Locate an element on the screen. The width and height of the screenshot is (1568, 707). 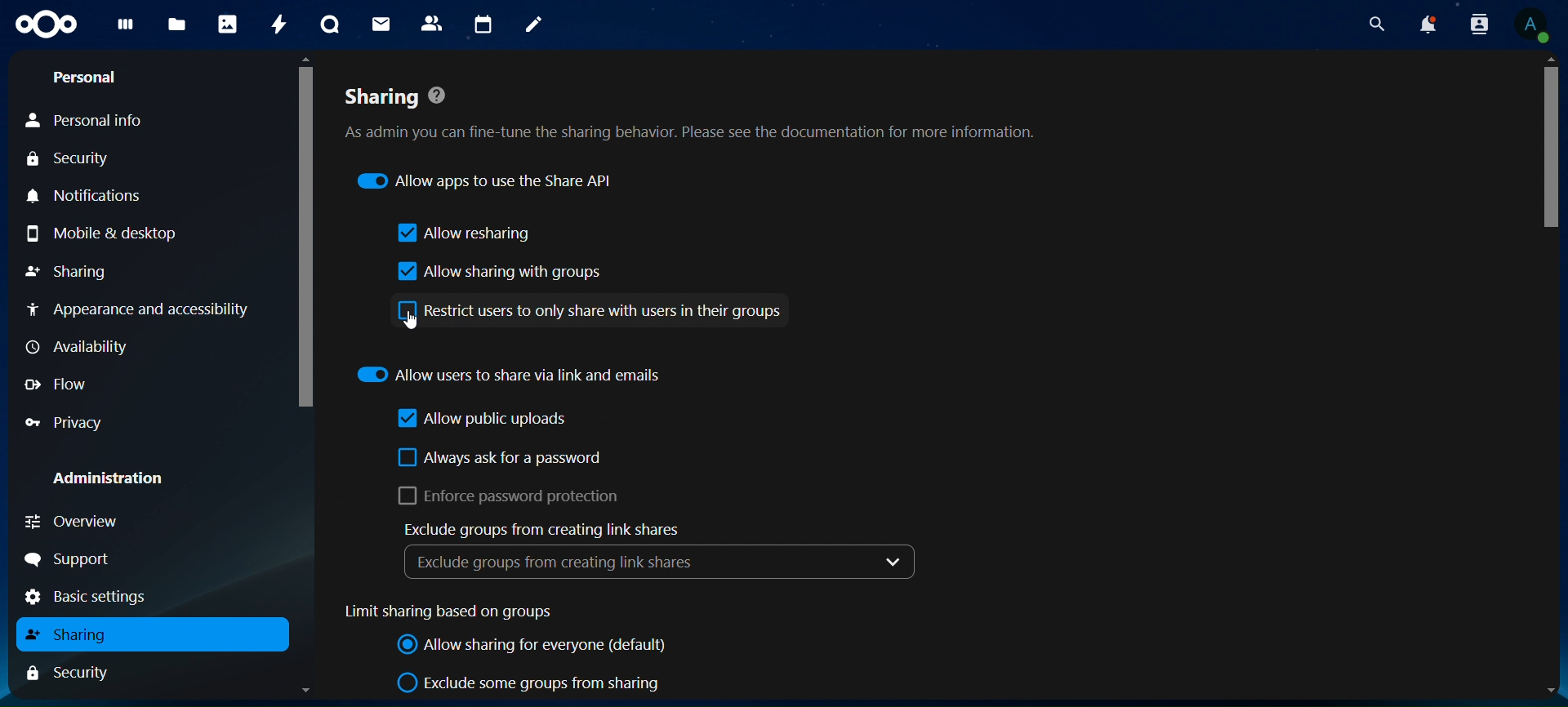
privacy is located at coordinates (65, 424).